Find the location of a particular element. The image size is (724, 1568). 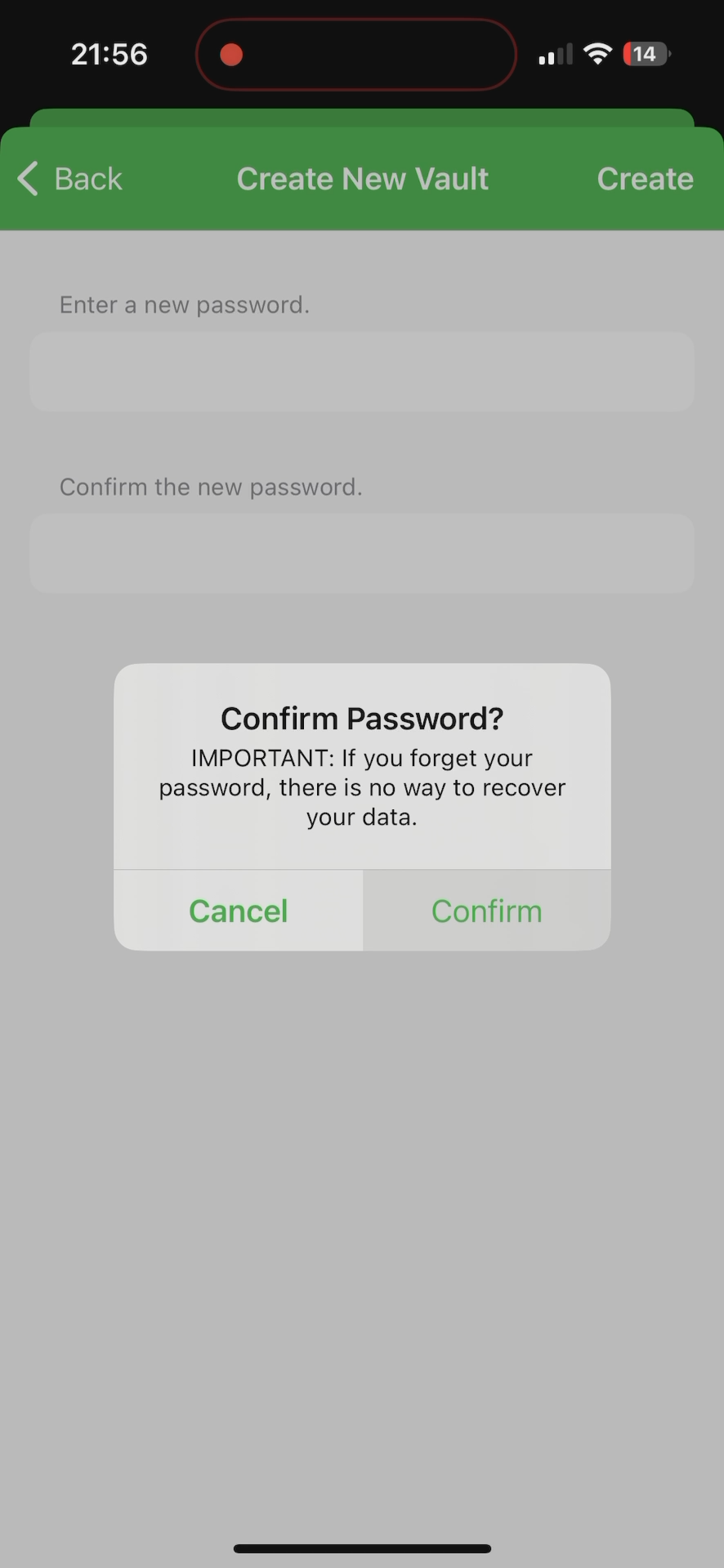

cancel is located at coordinates (235, 892).